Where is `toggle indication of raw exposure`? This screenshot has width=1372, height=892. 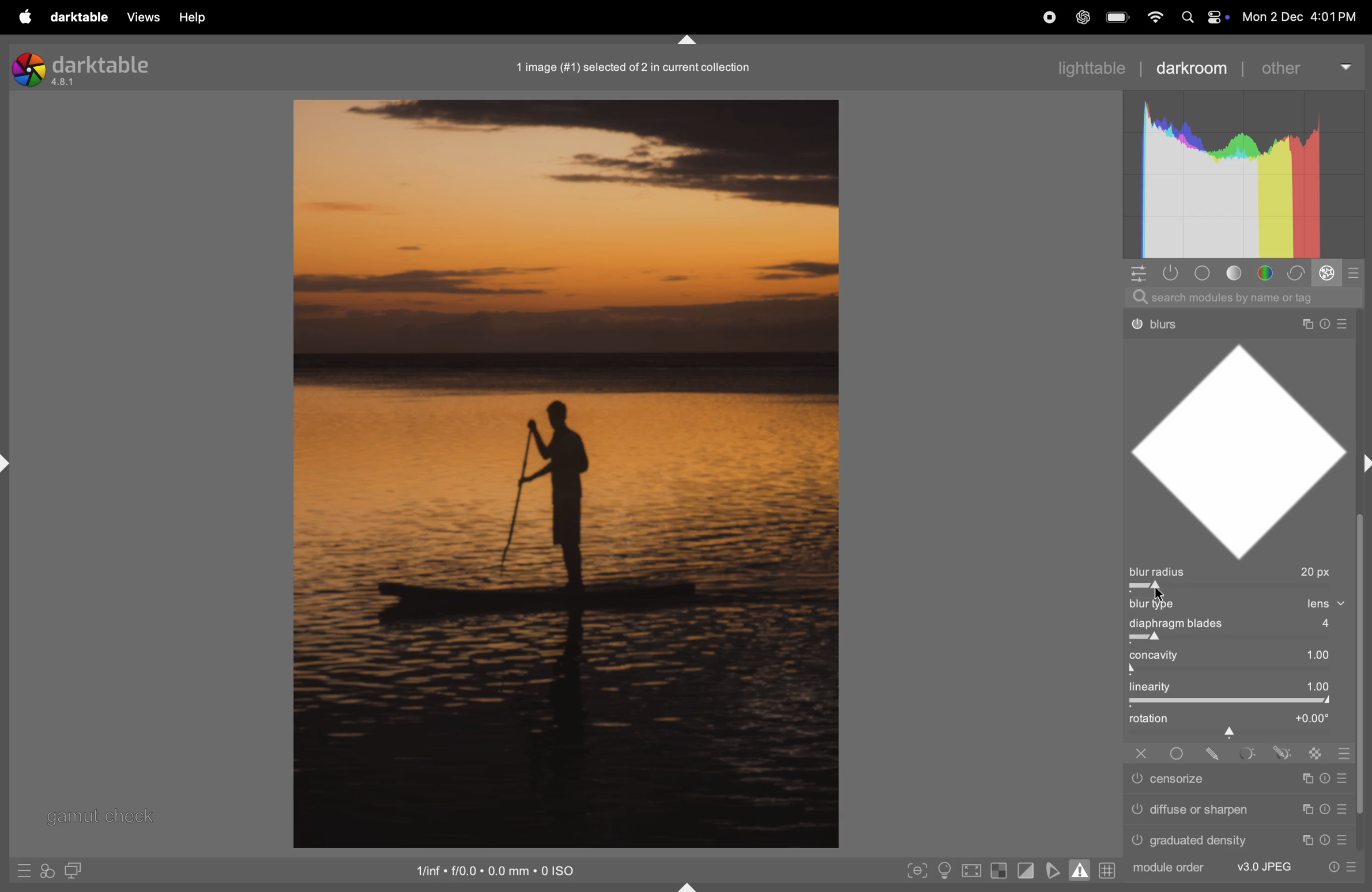 toggle indication of raw exposure is located at coordinates (1000, 871).